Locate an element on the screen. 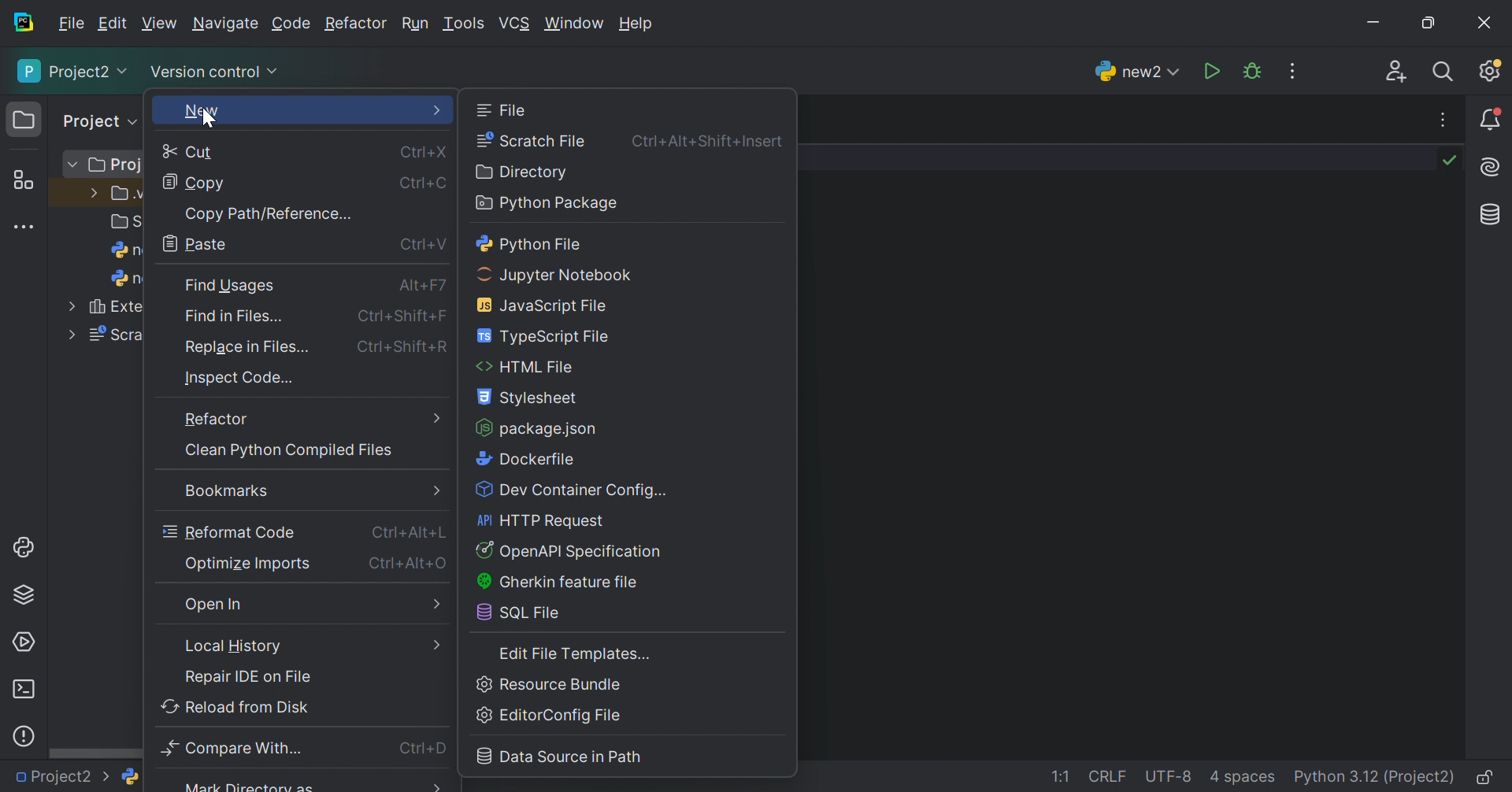 This screenshot has width=1512, height=792. HTML file is located at coordinates (525, 367).